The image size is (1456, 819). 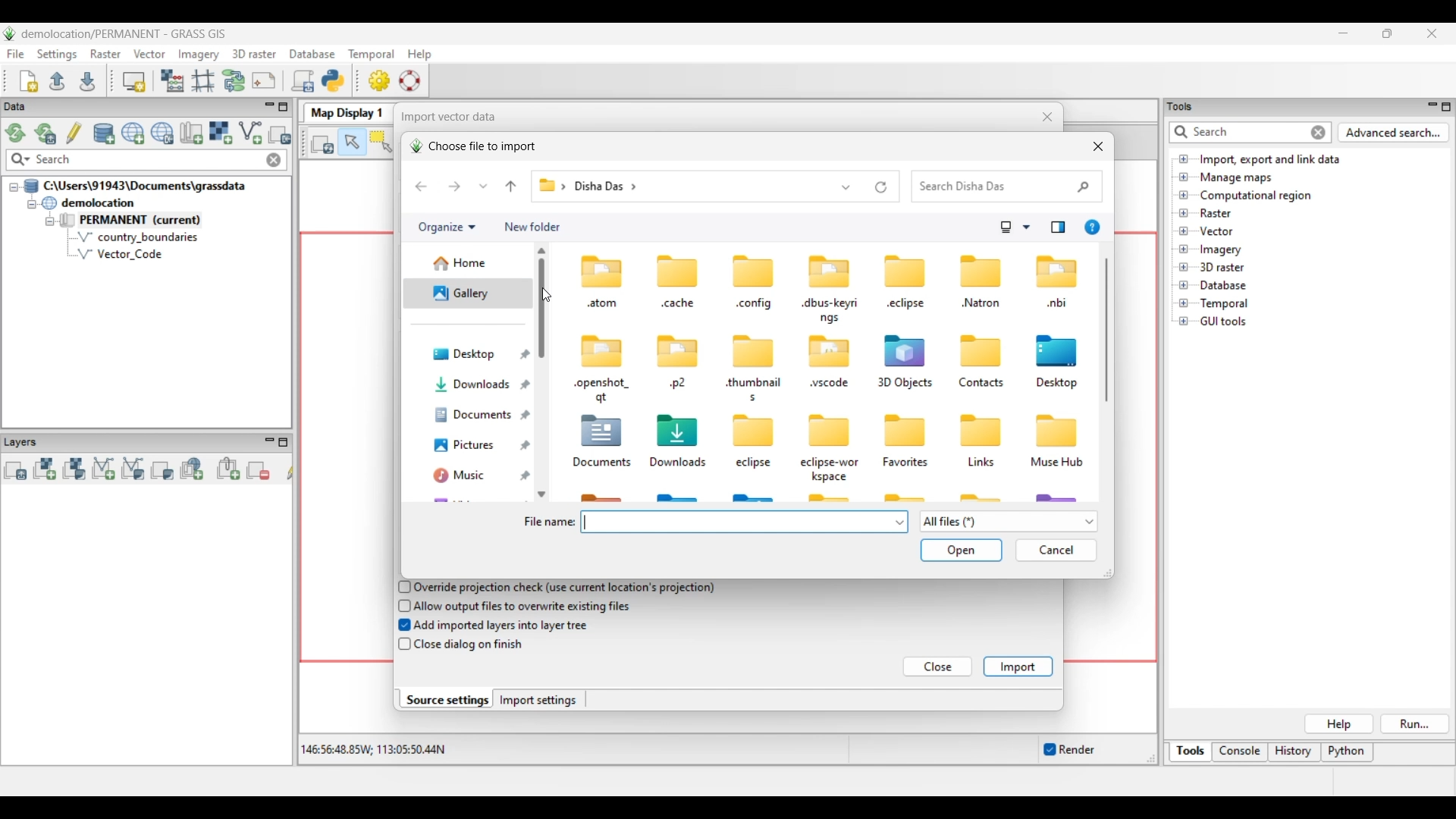 What do you see at coordinates (1057, 350) in the screenshot?
I see `icon` at bounding box center [1057, 350].